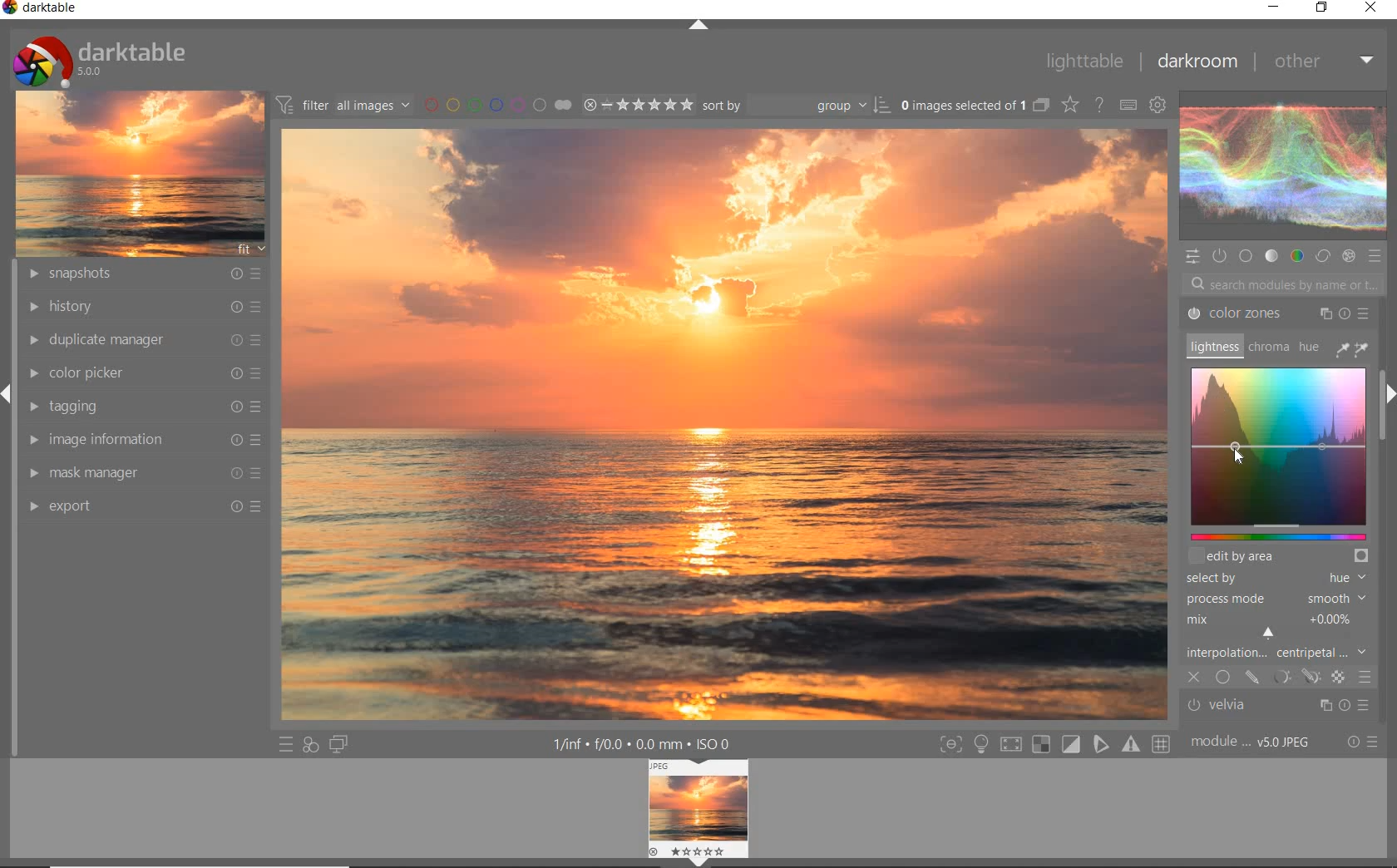 Image resolution: width=1397 pixels, height=868 pixels. Describe the element at coordinates (1222, 678) in the screenshot. I see `UNIFORMLY` at that location.